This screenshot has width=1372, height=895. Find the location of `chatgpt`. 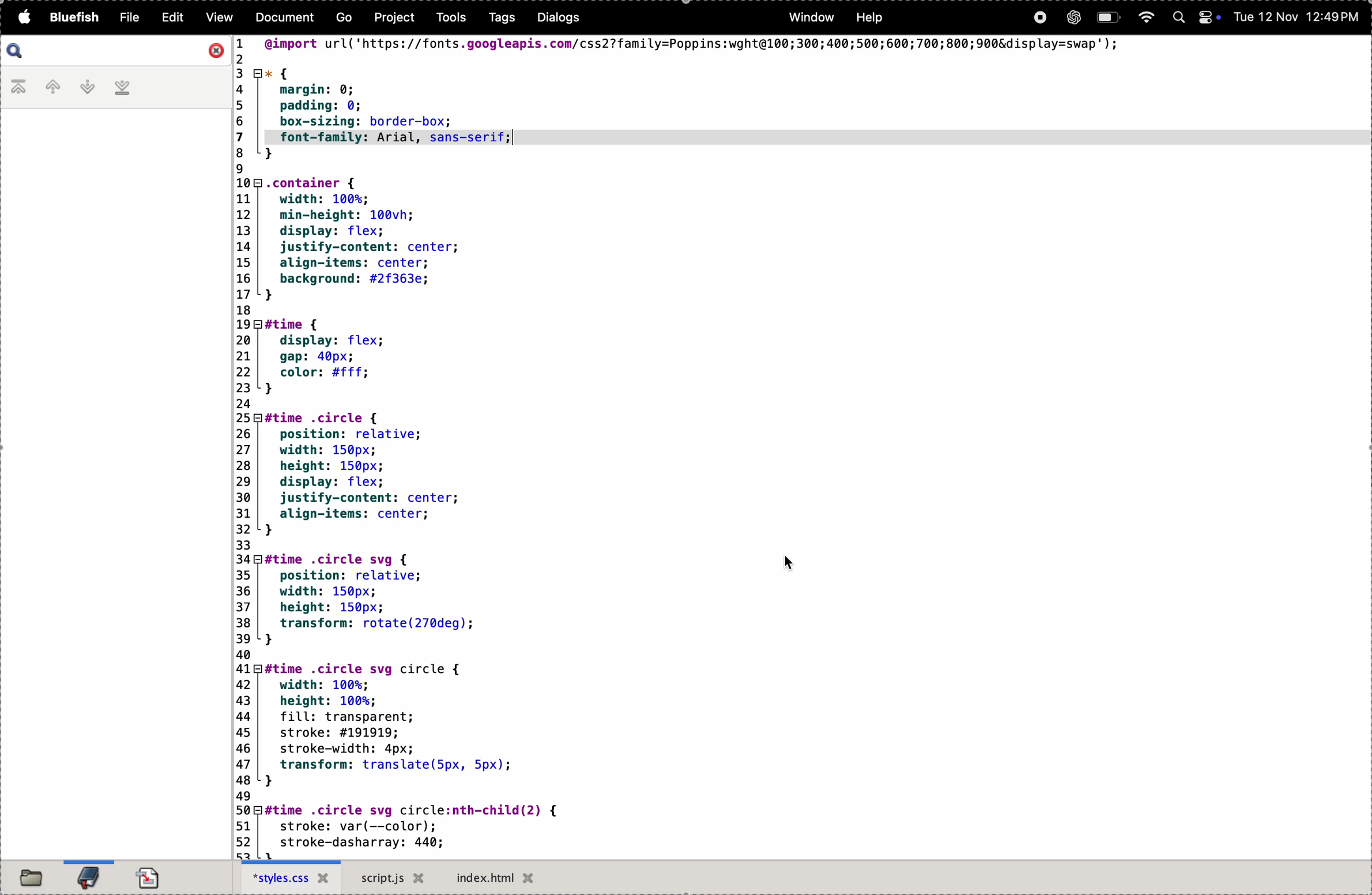

chatgpt is located at coordinates (1071, 19).